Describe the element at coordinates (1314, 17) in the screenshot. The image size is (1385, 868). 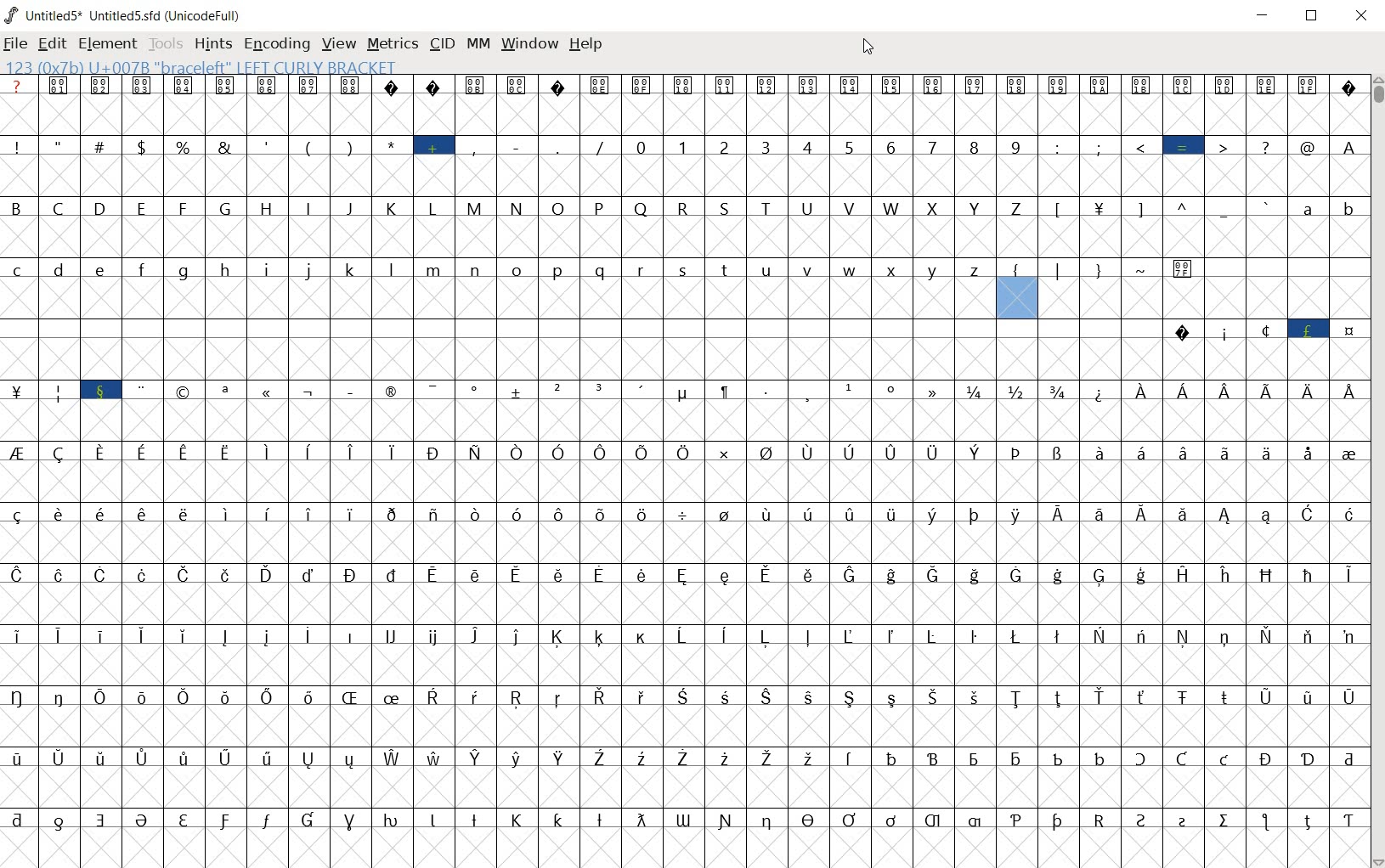
I see `restore down` at that location.